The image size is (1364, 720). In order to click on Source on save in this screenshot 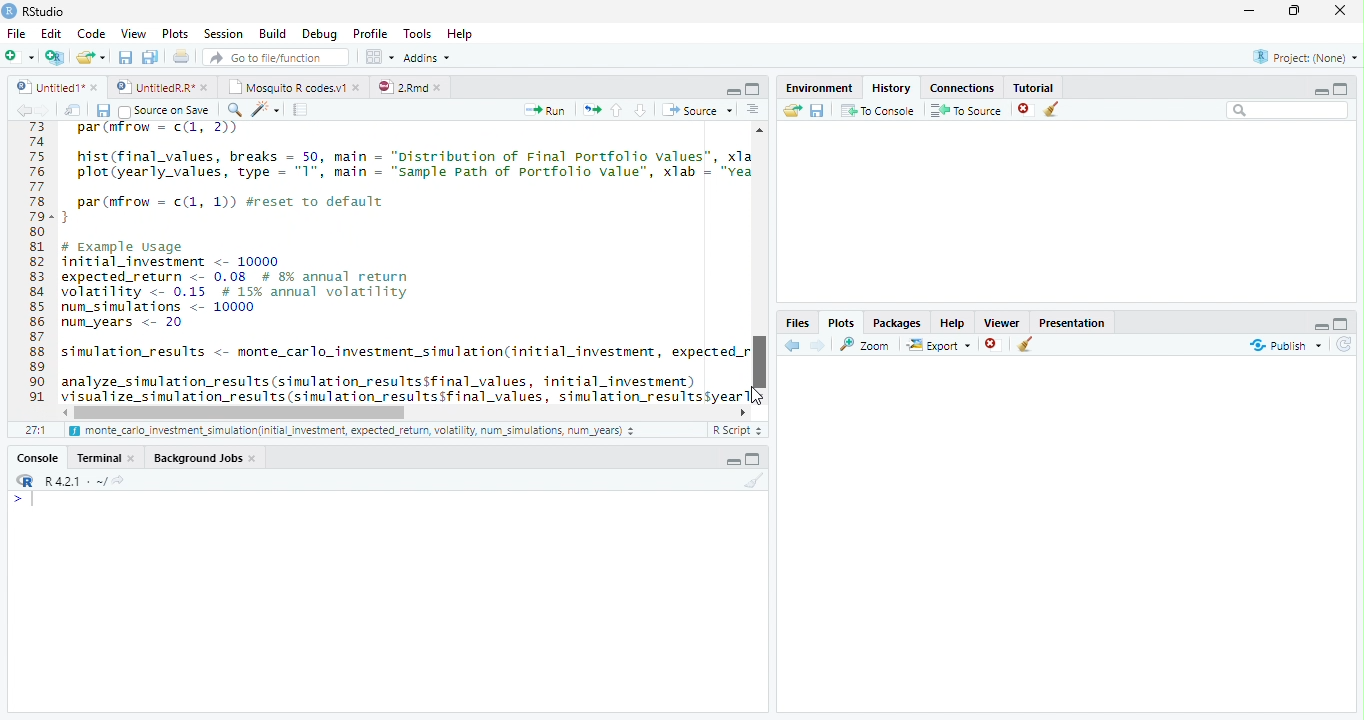, I will do `click(166, 111)`.